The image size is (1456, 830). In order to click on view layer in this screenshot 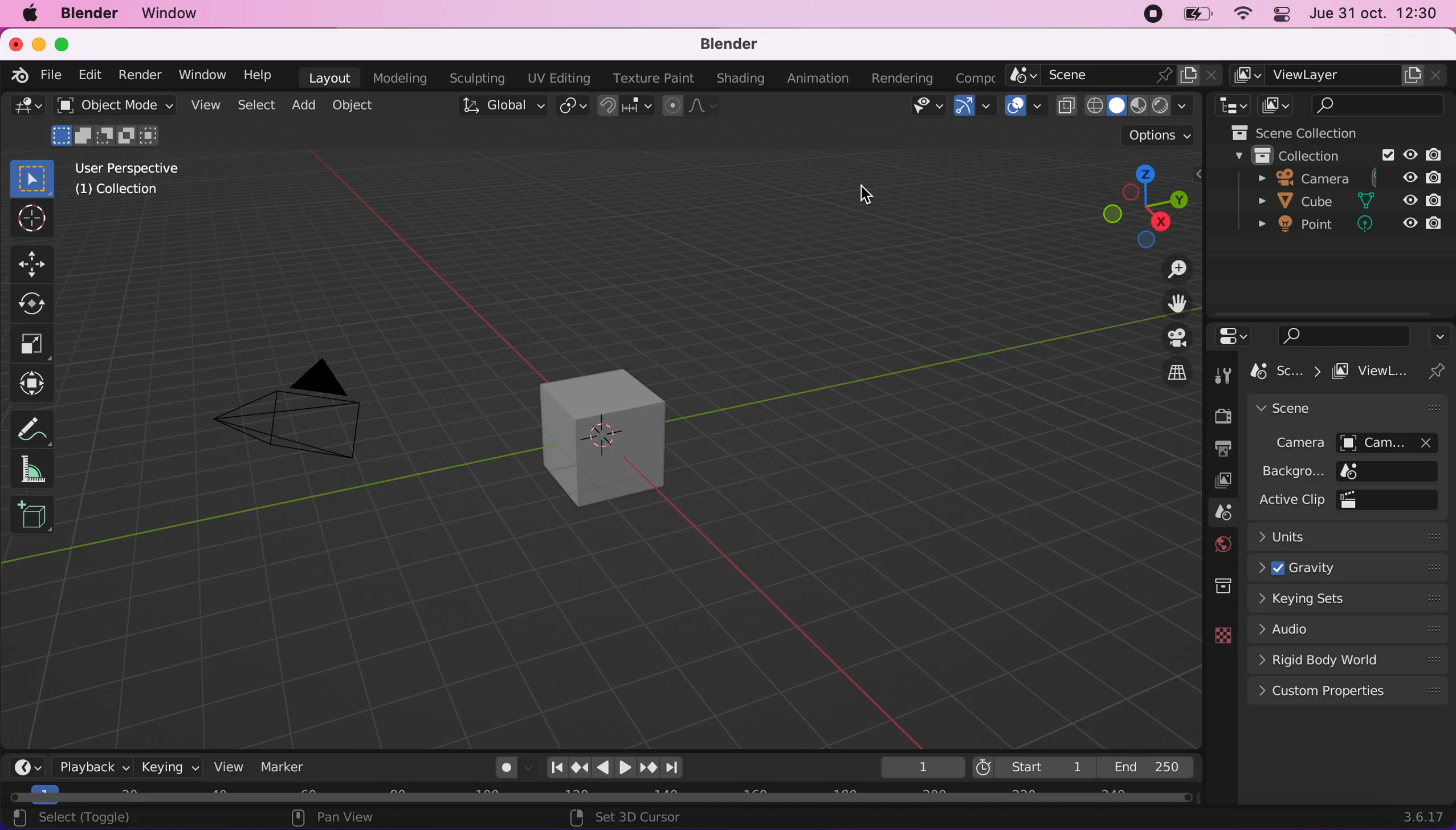, I will do `click(1340, 74)`.